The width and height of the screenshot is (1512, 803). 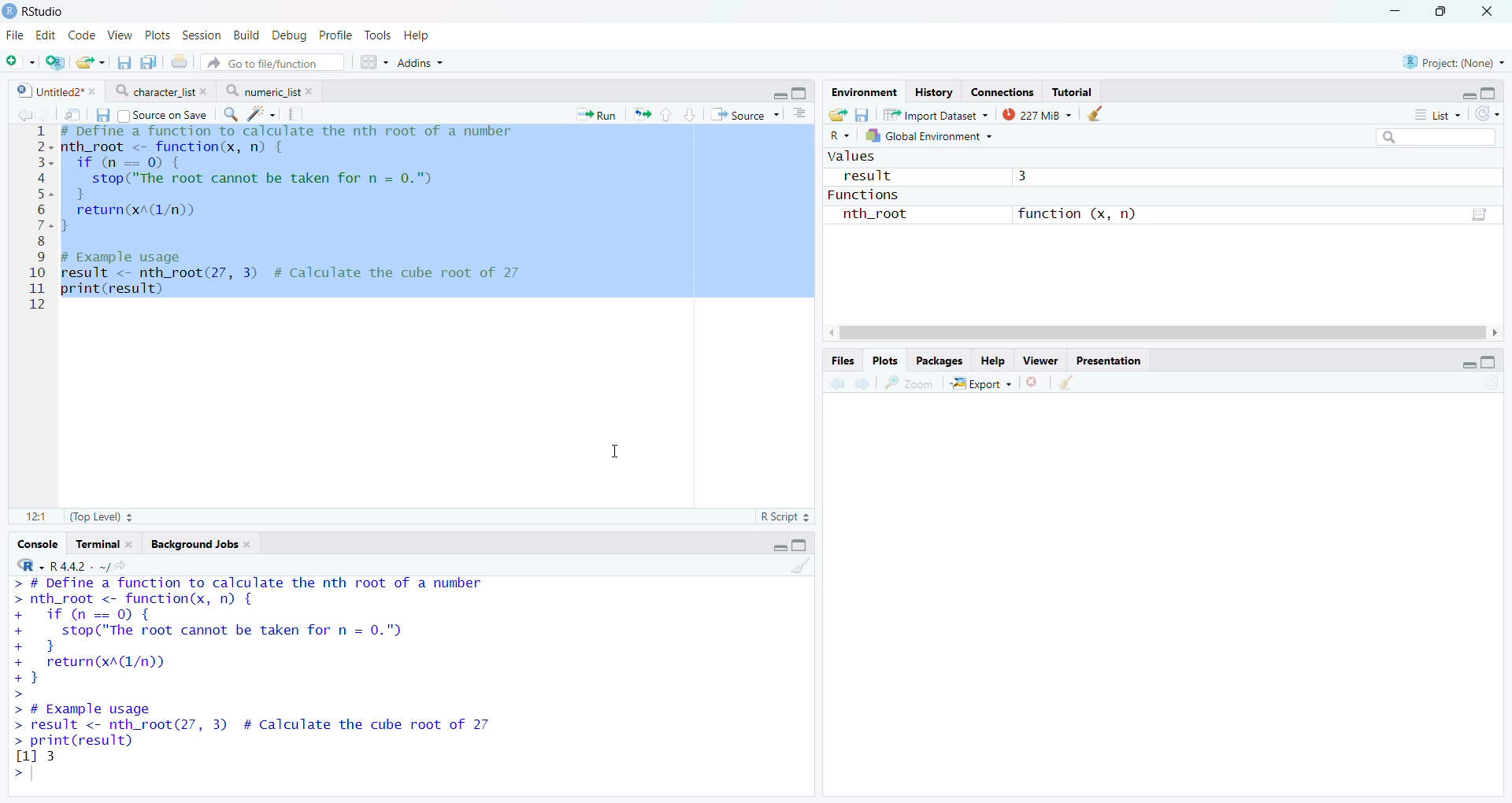 What do you see at coordinates (289, 35) in the screenshot?
I see `Debug` at bounding box center [289, 35].